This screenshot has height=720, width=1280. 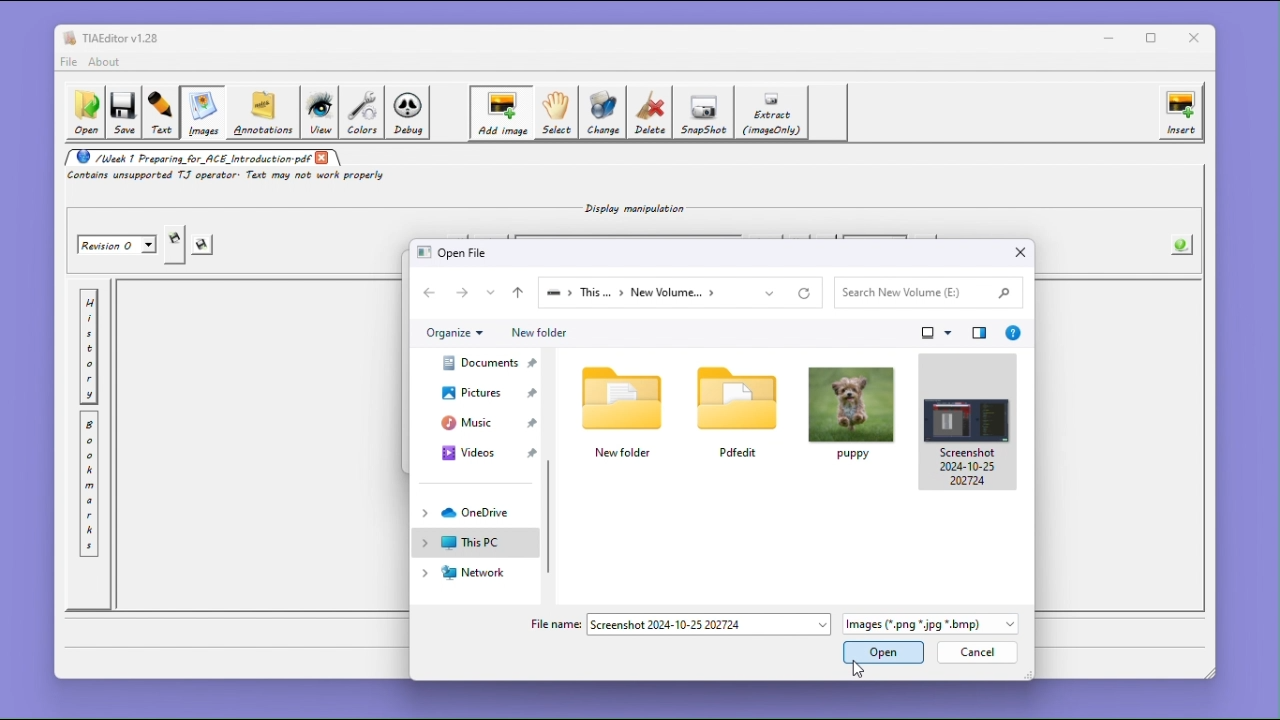 I want to click on Images, so click(x=201, y=113).